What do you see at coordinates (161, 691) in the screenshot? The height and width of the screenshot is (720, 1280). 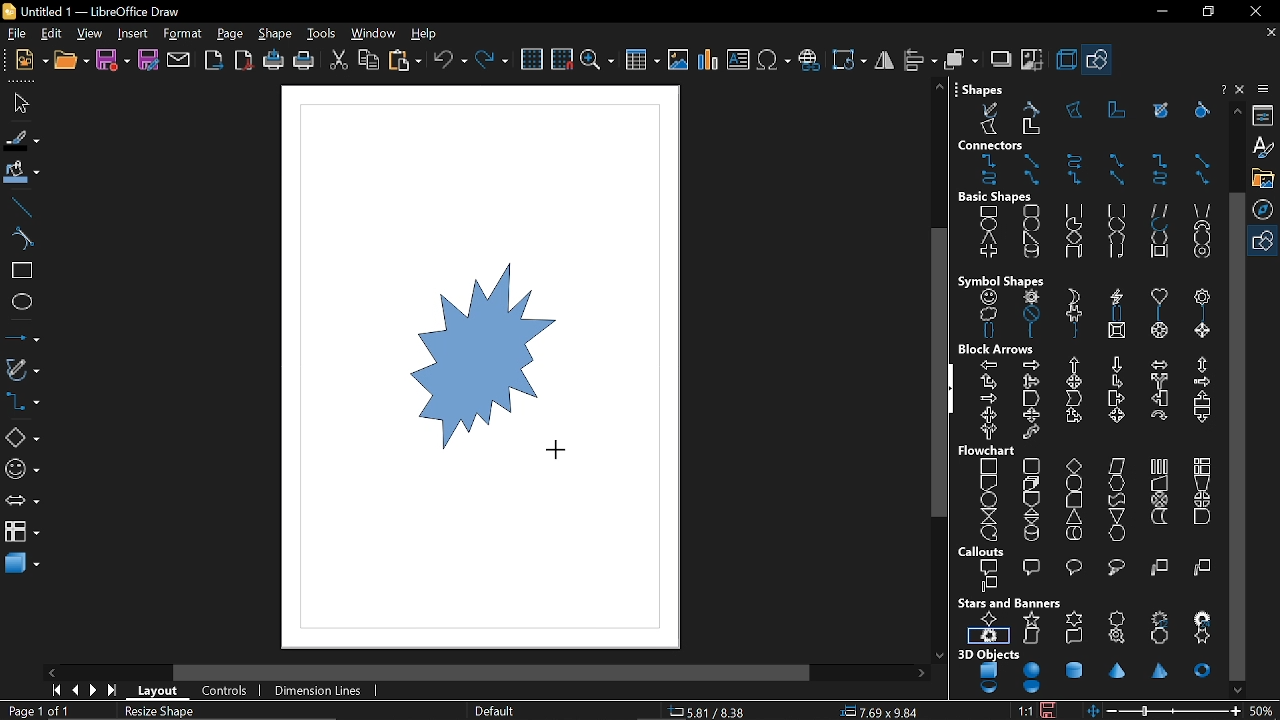 I see `Layout` at bounding box center [161, 691].